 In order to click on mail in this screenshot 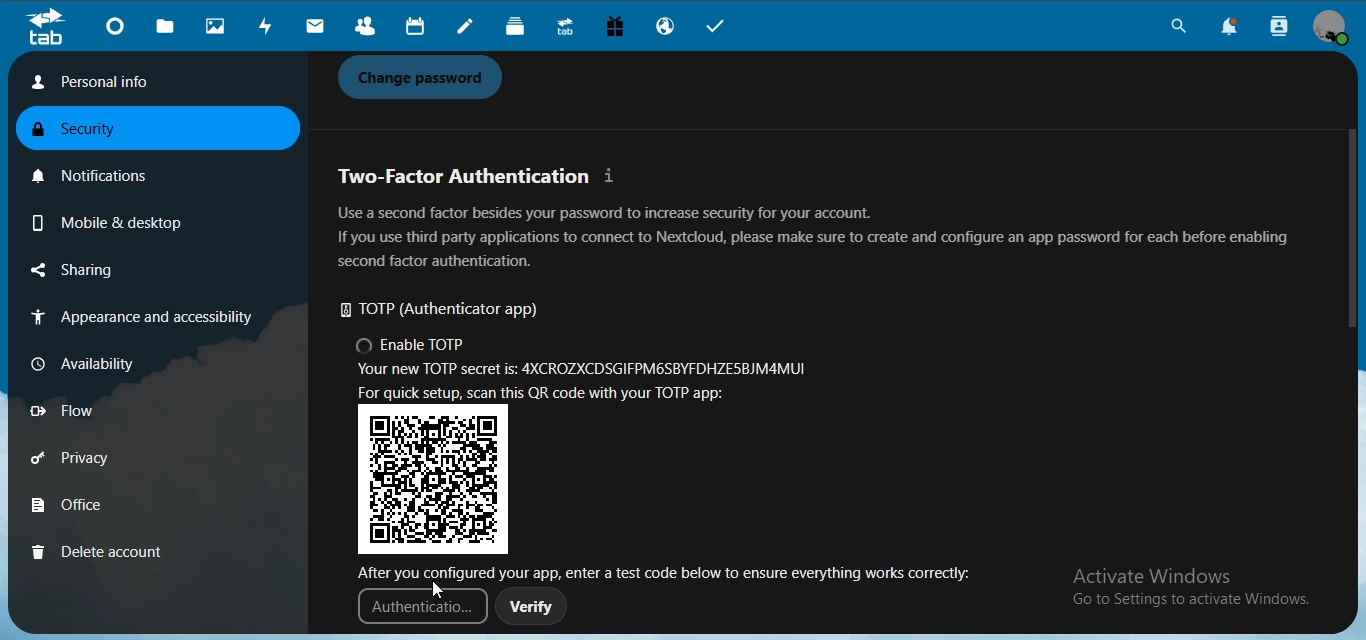, I will do `click(316, 27)`.